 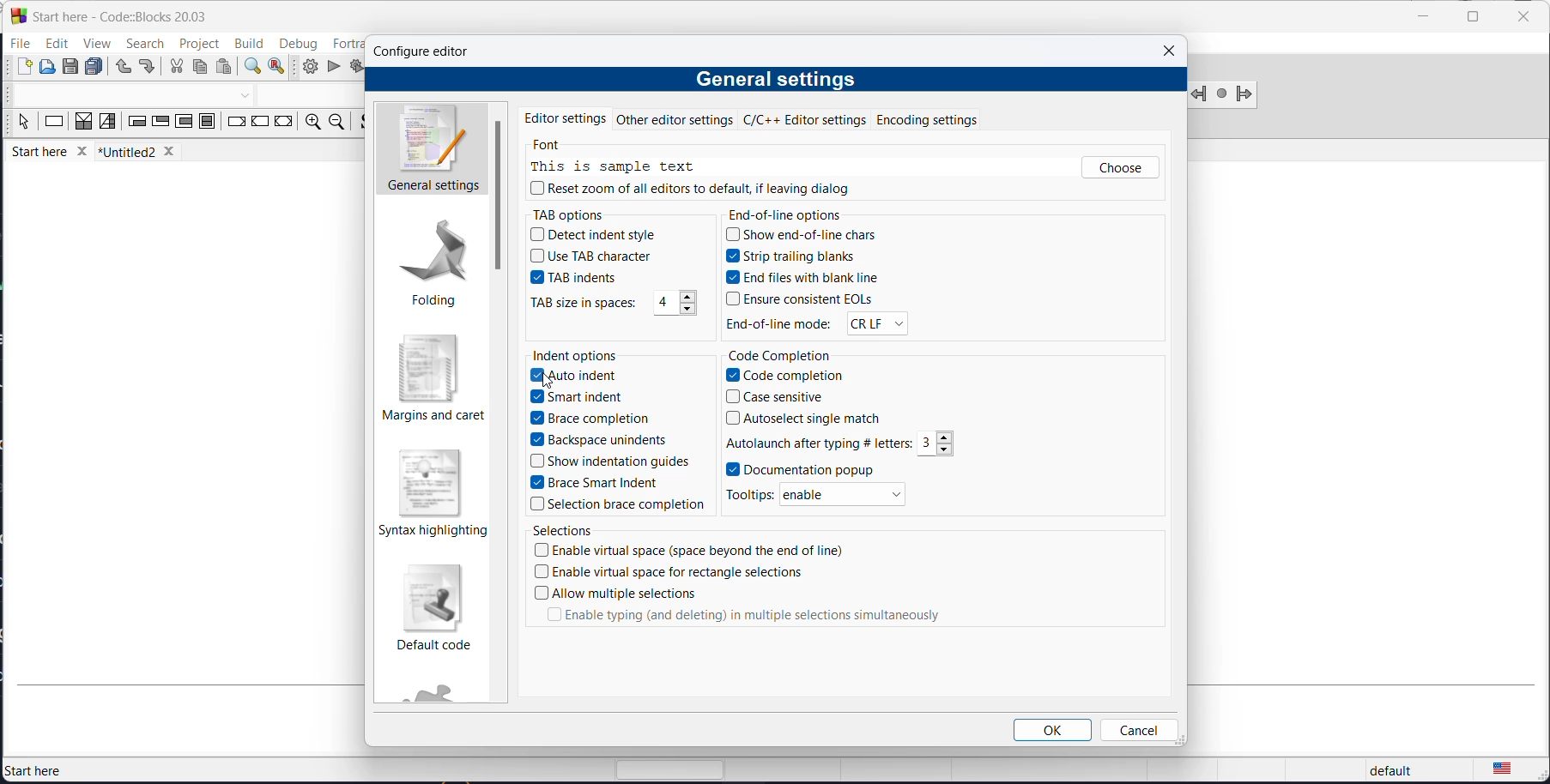 I want to click on save all, so click(x=94, y=68).